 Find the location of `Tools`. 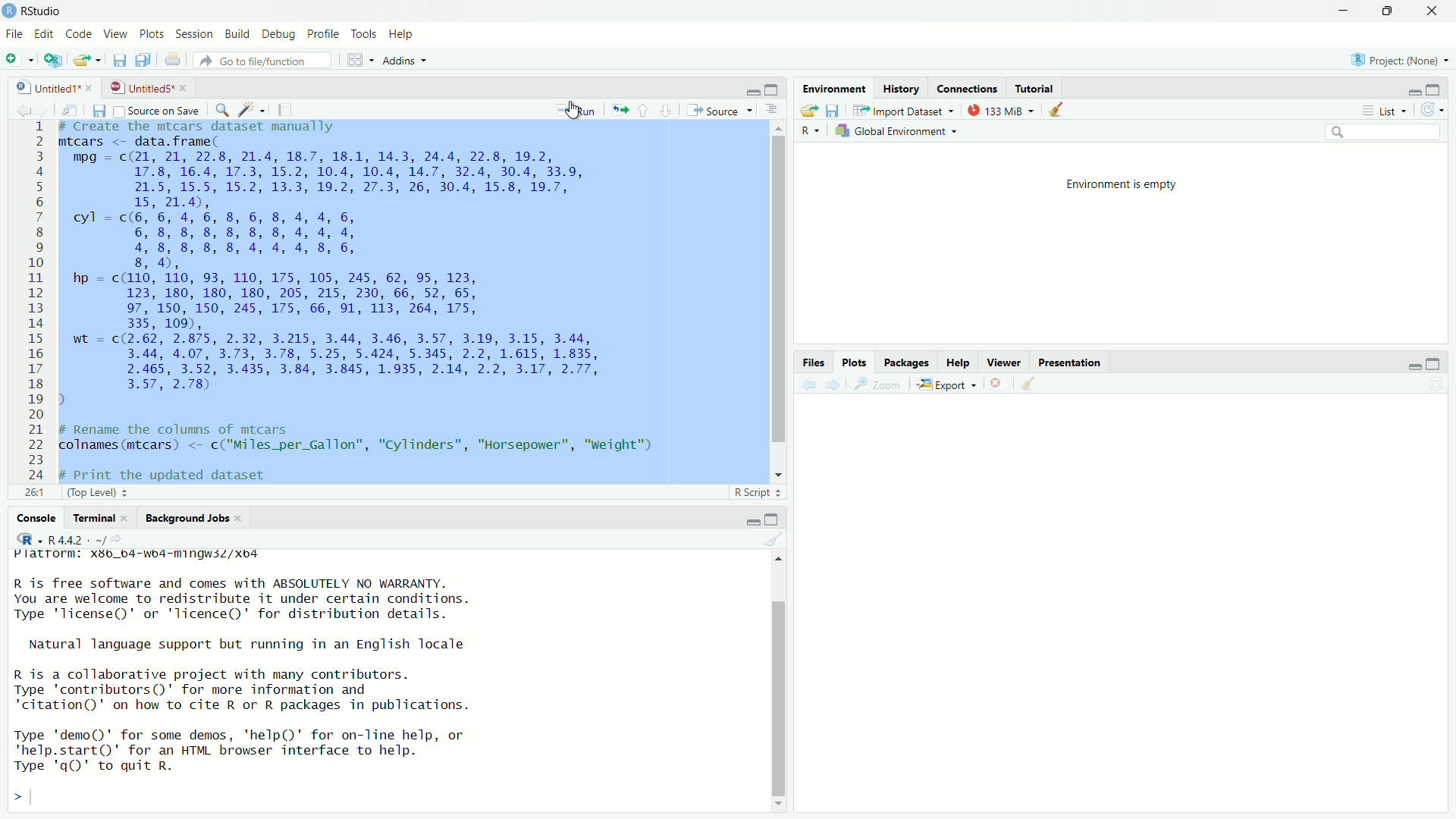

Tools is located at coordinates (366, 35).